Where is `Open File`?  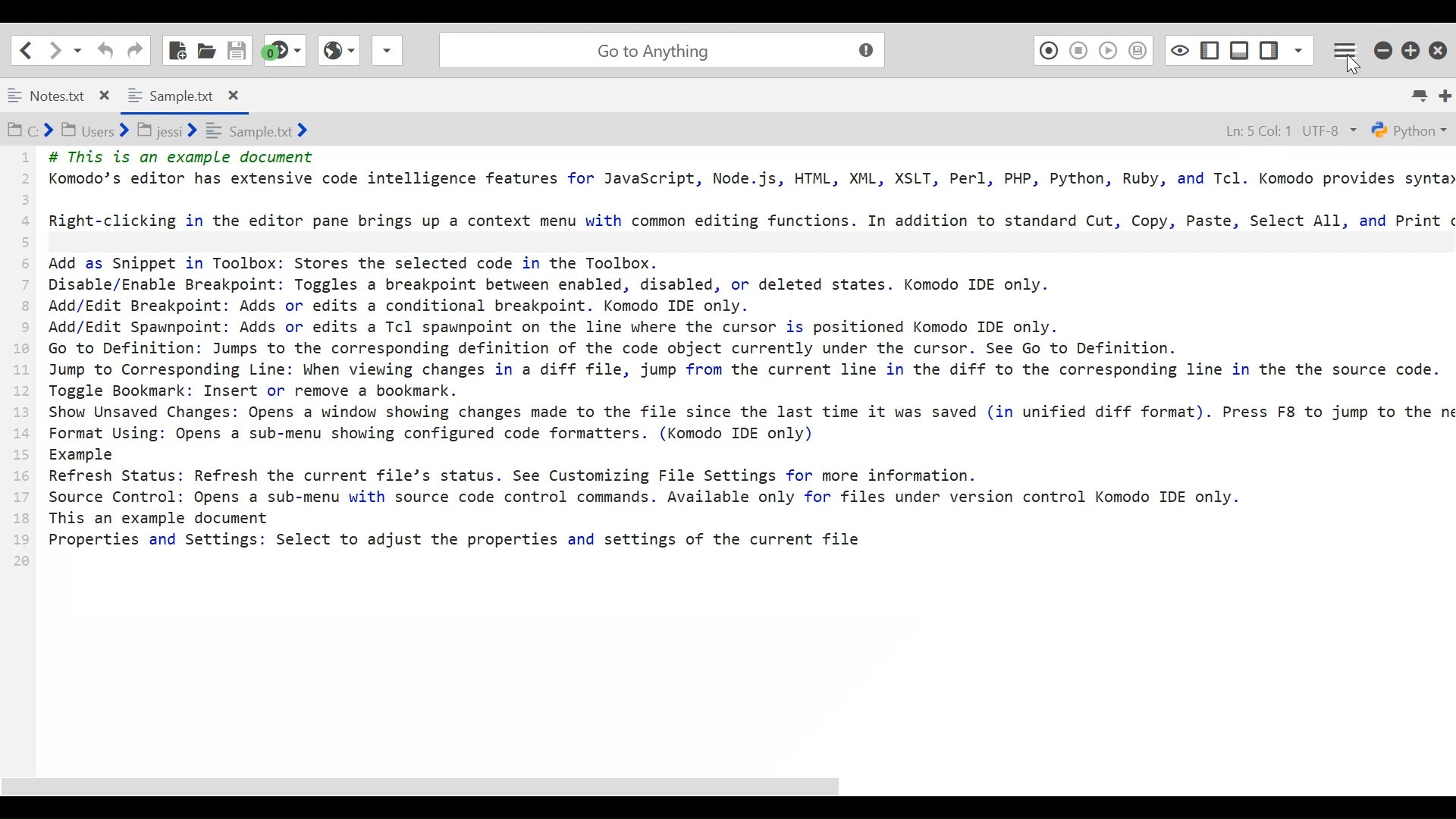
Open File is located at coordinates (206, 49).